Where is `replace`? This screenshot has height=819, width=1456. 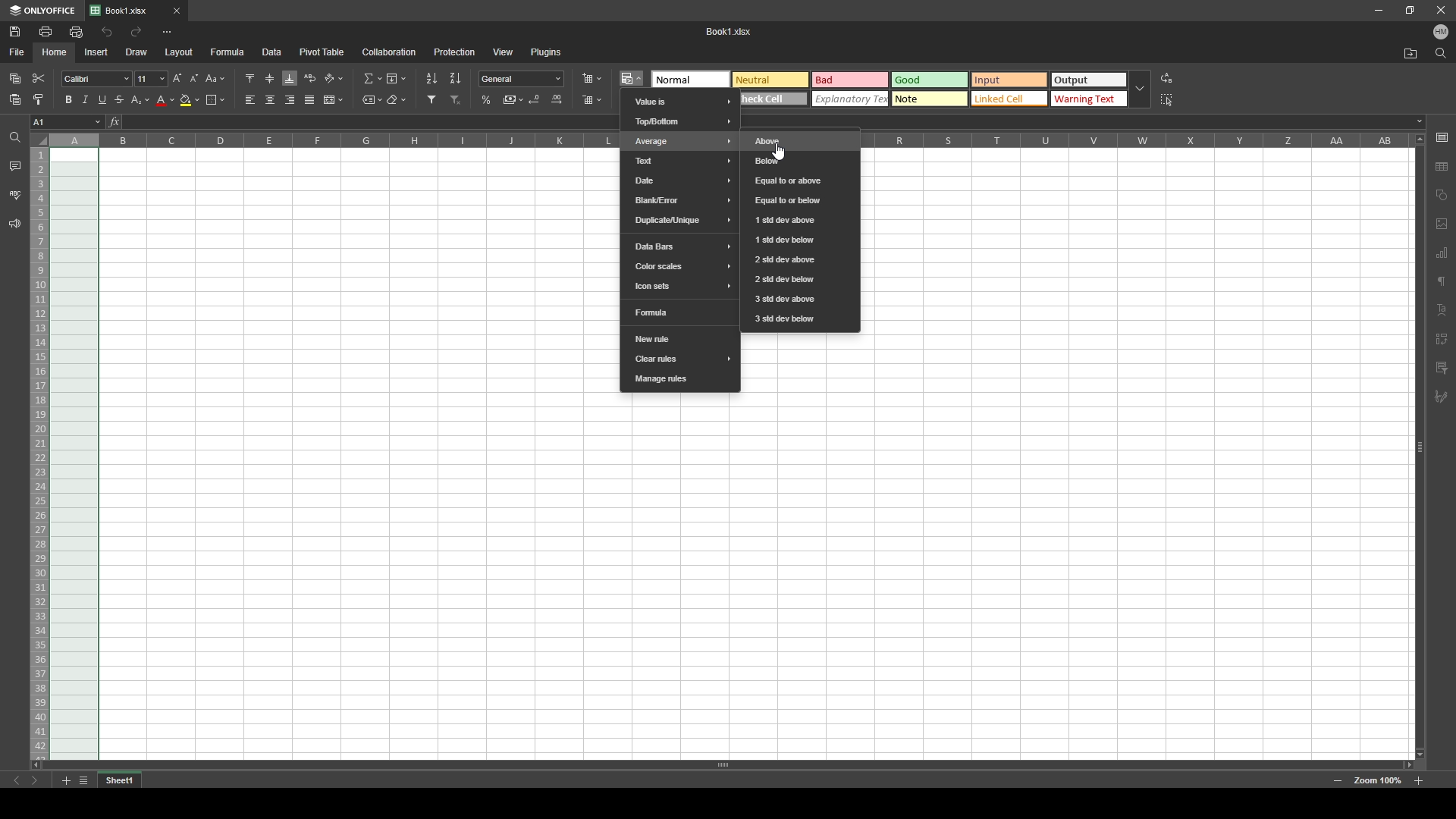 replace is located at coordinates (1168, 79).